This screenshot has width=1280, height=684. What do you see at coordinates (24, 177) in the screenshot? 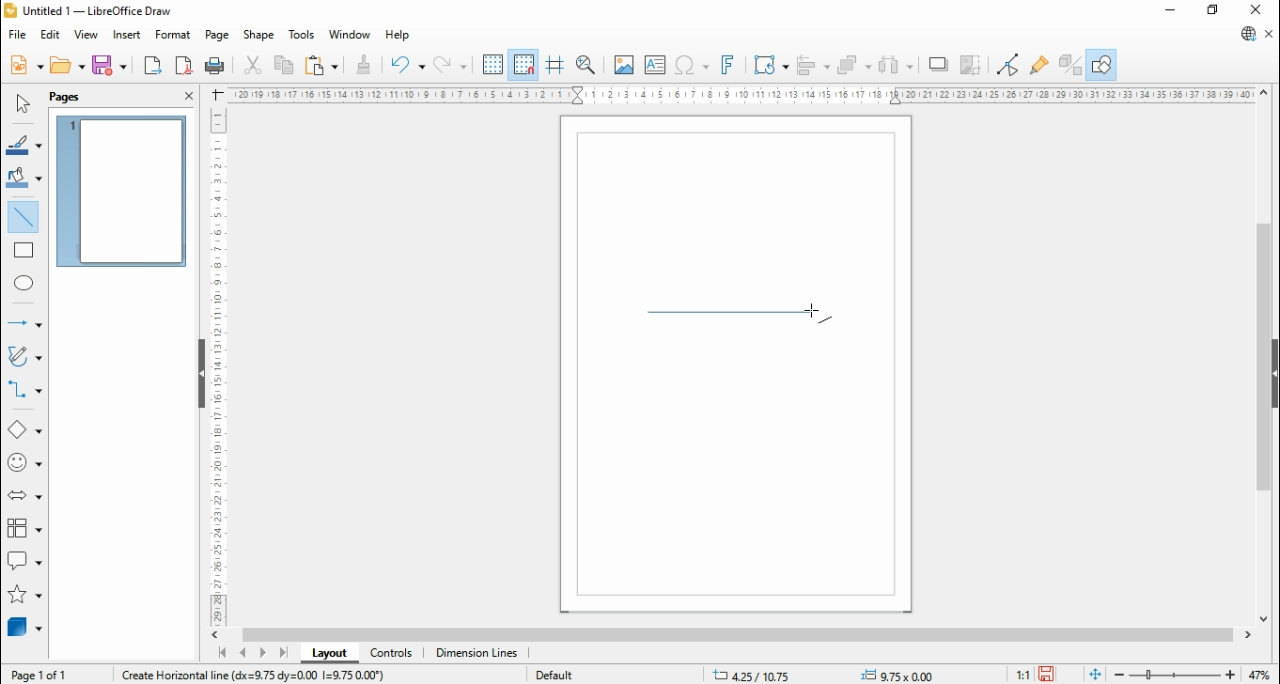
I see `fill color` at bounding box center [24, 177].